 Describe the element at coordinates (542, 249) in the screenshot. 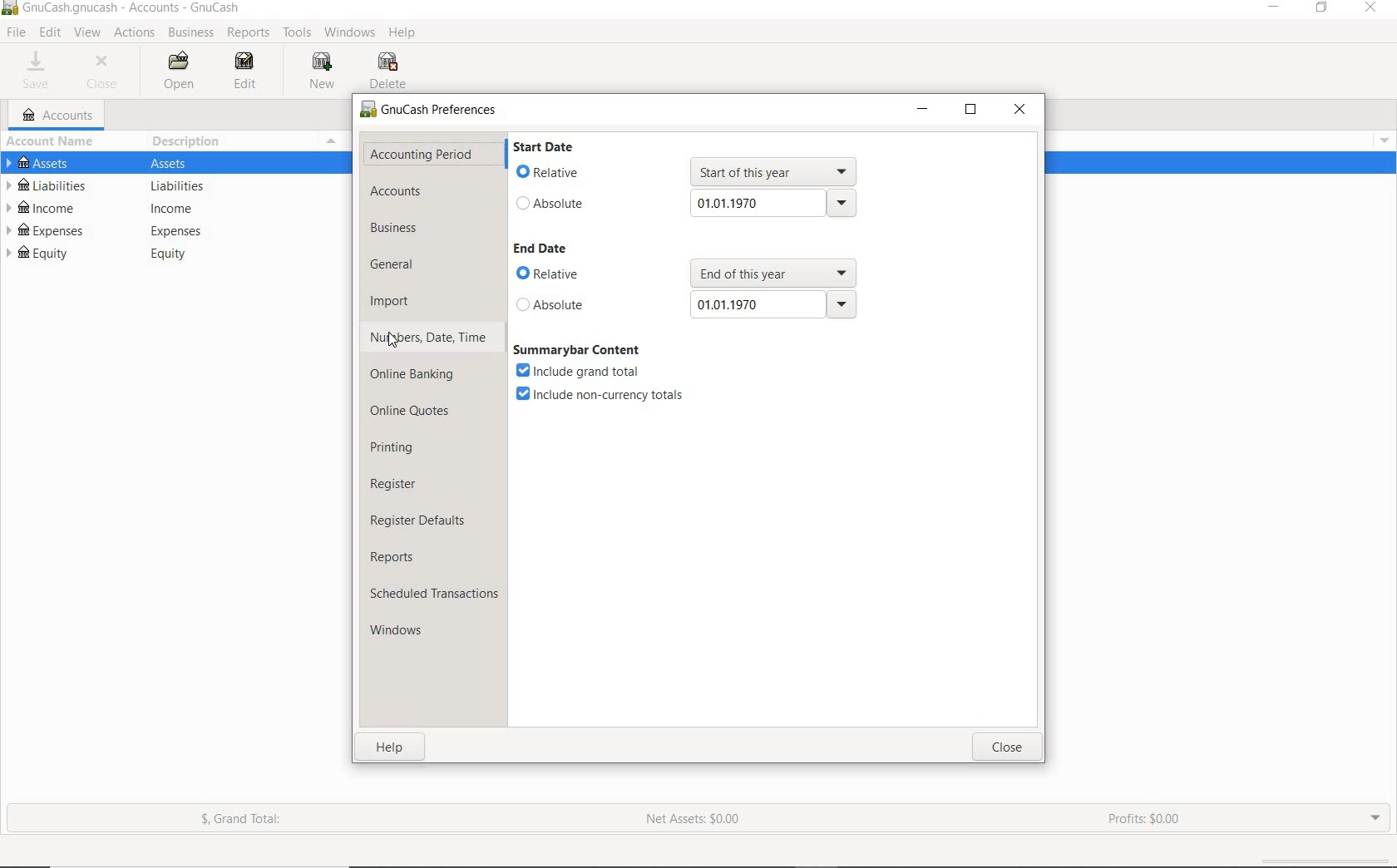

I see `end date` at that location.